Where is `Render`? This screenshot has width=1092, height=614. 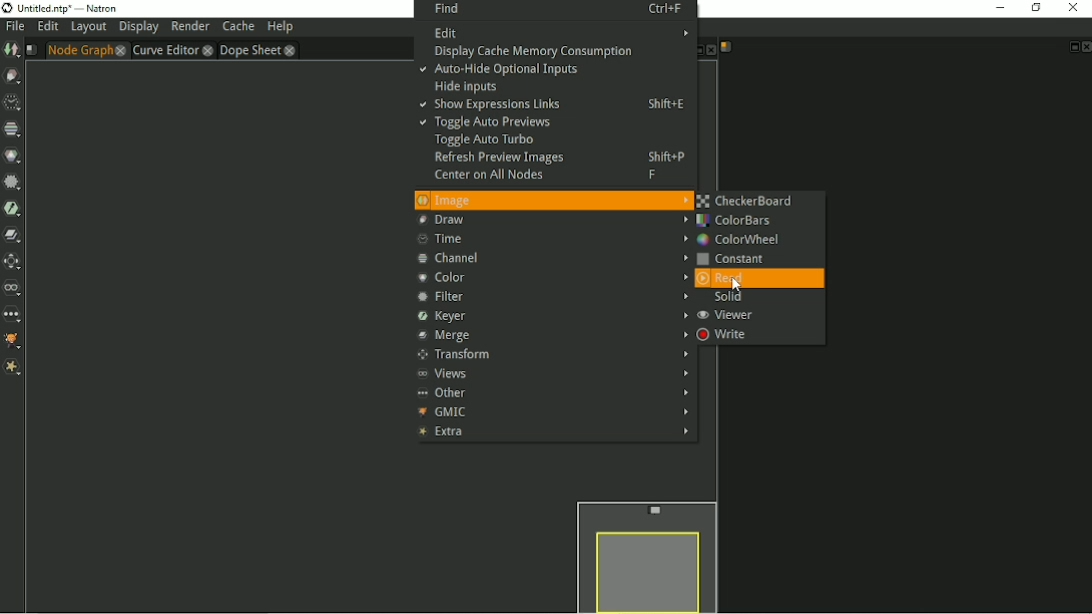 Render is located at coordinates (191, 26).